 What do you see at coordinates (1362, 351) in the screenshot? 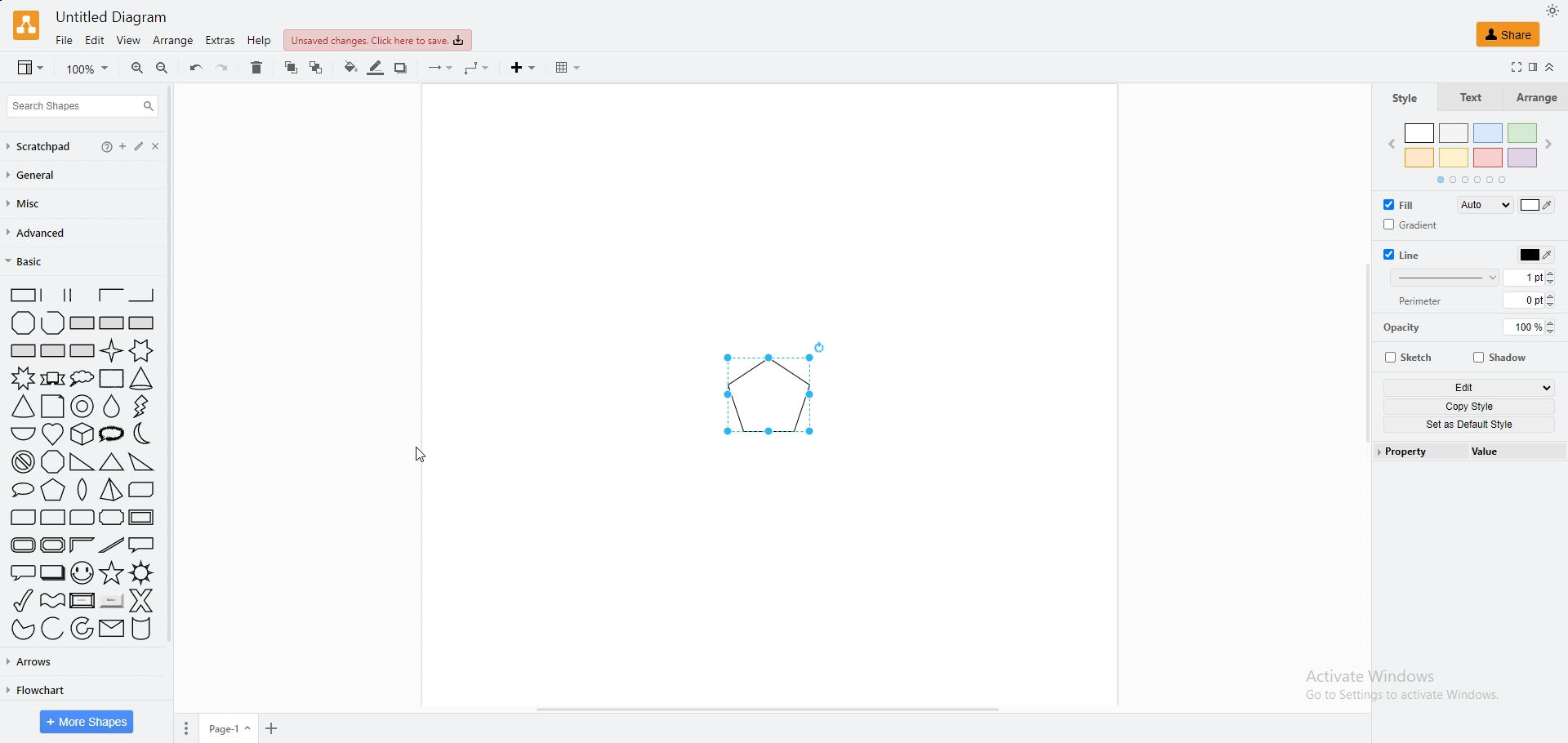
I see `vertical scrollbar` at bounding box center [1362, 351].